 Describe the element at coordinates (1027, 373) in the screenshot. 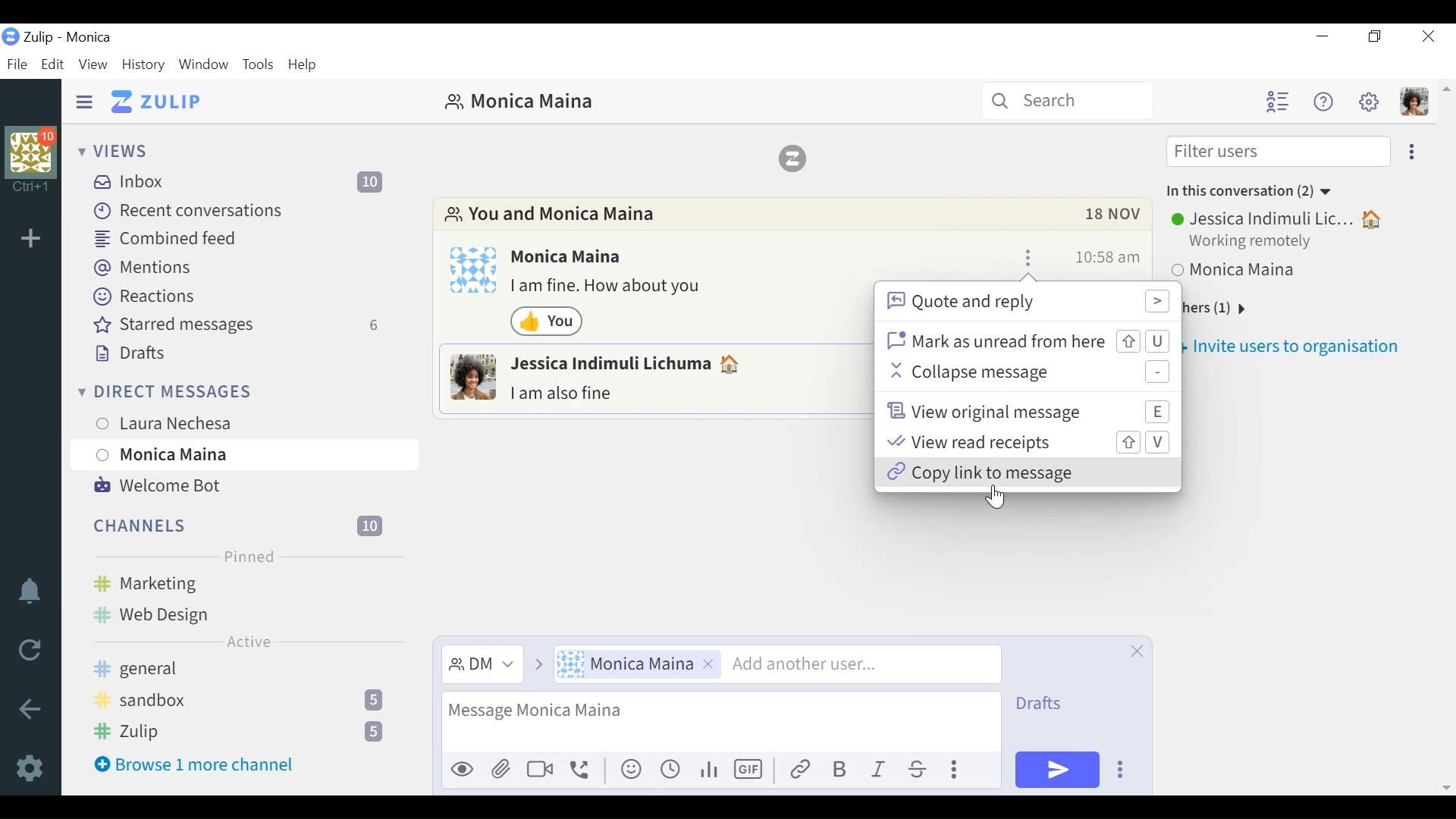

I see `Collapse message` at that location.